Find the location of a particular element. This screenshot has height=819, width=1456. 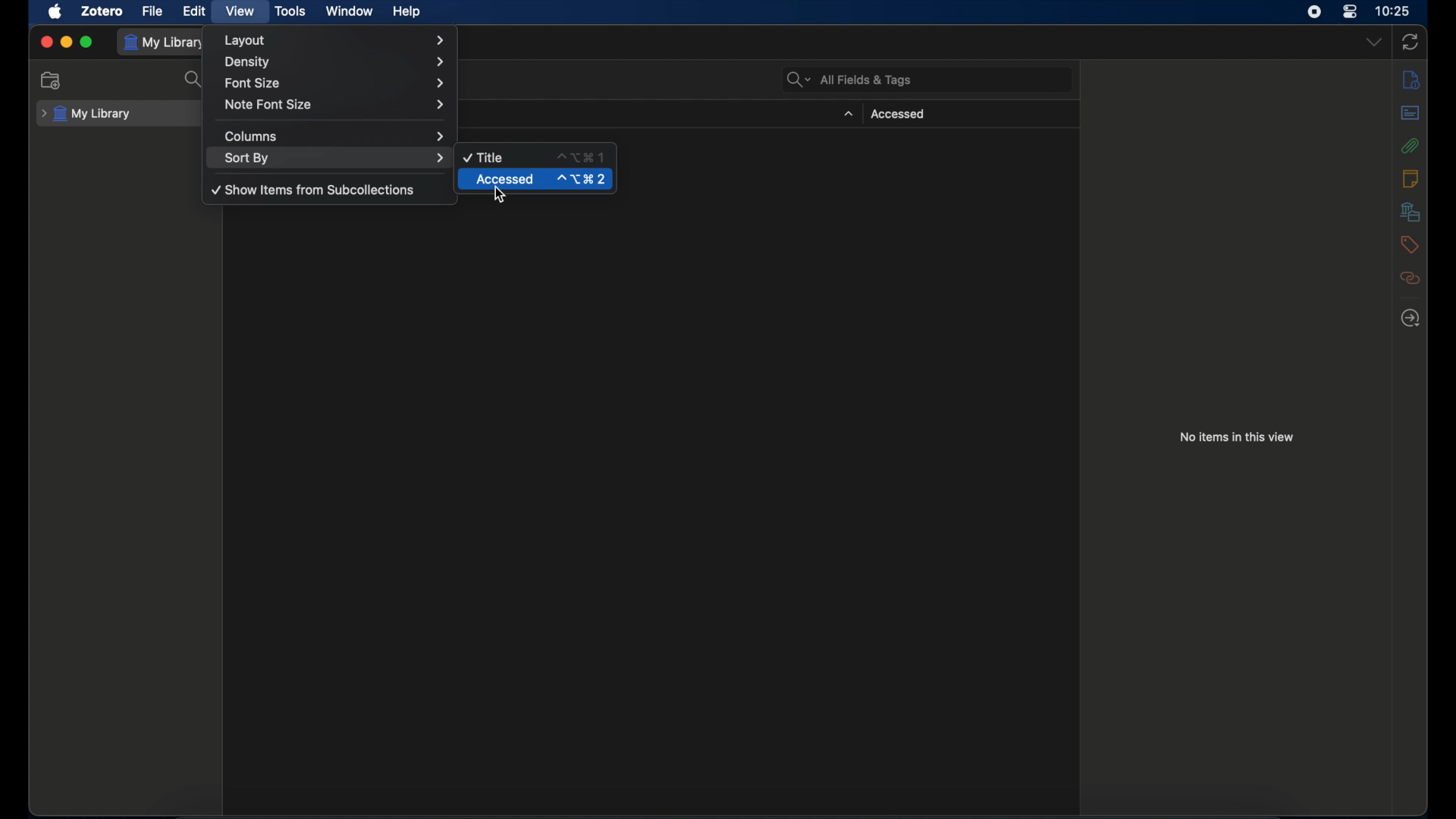

related is located at coordinates (1411, 279).